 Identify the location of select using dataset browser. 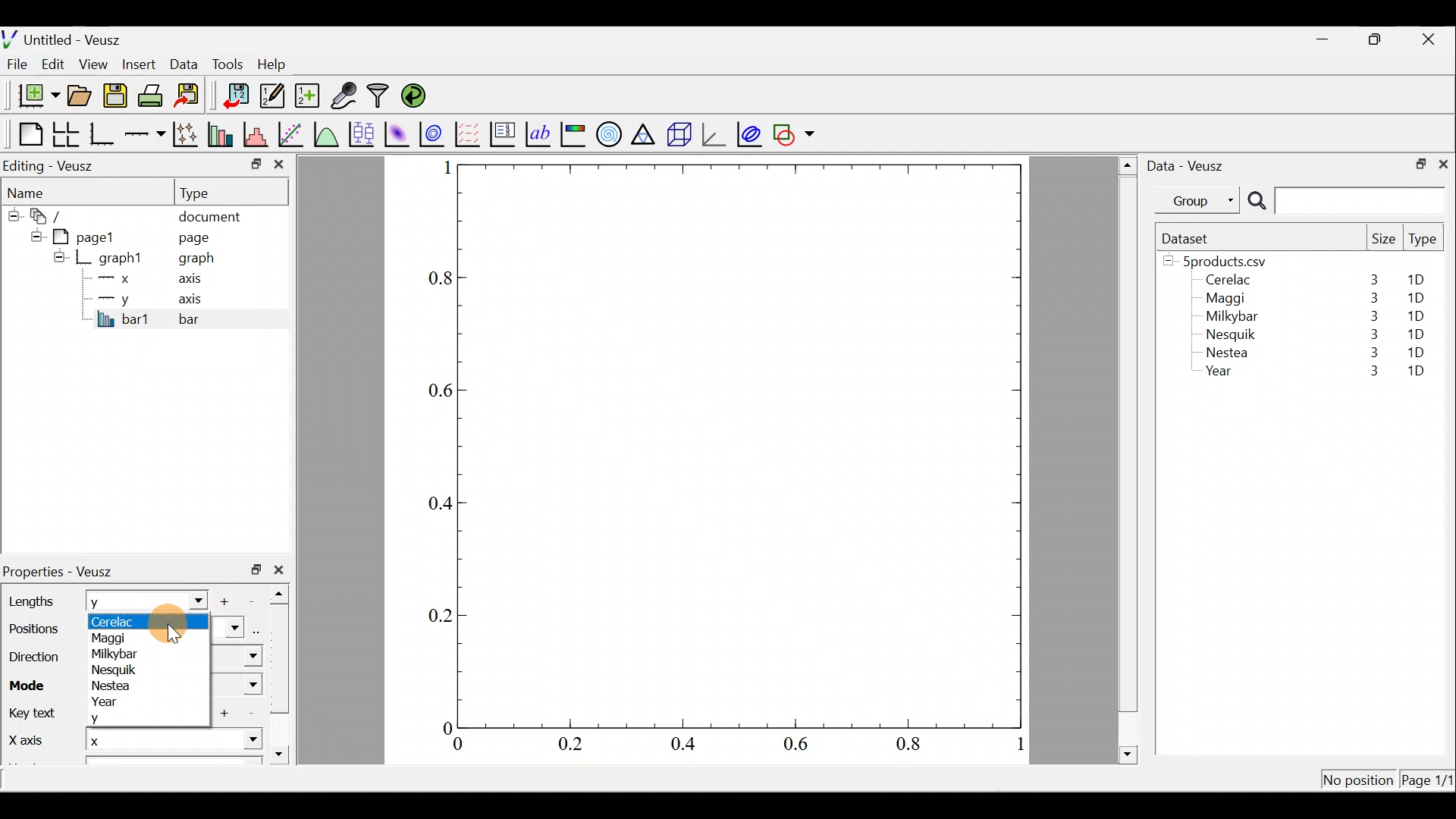
(259, 629).